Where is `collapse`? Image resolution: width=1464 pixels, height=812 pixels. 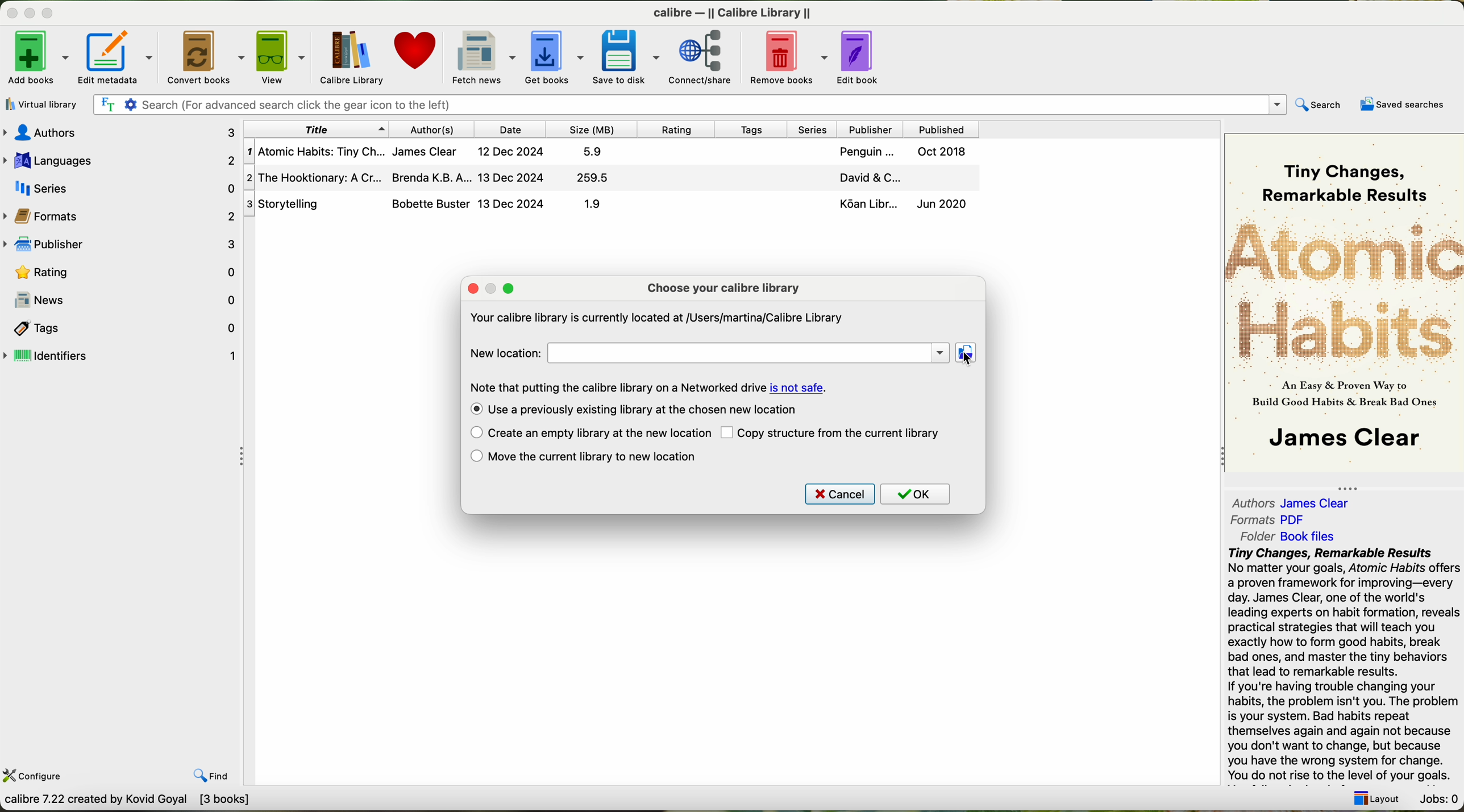
collapse is located at coordinates (1354, 485).